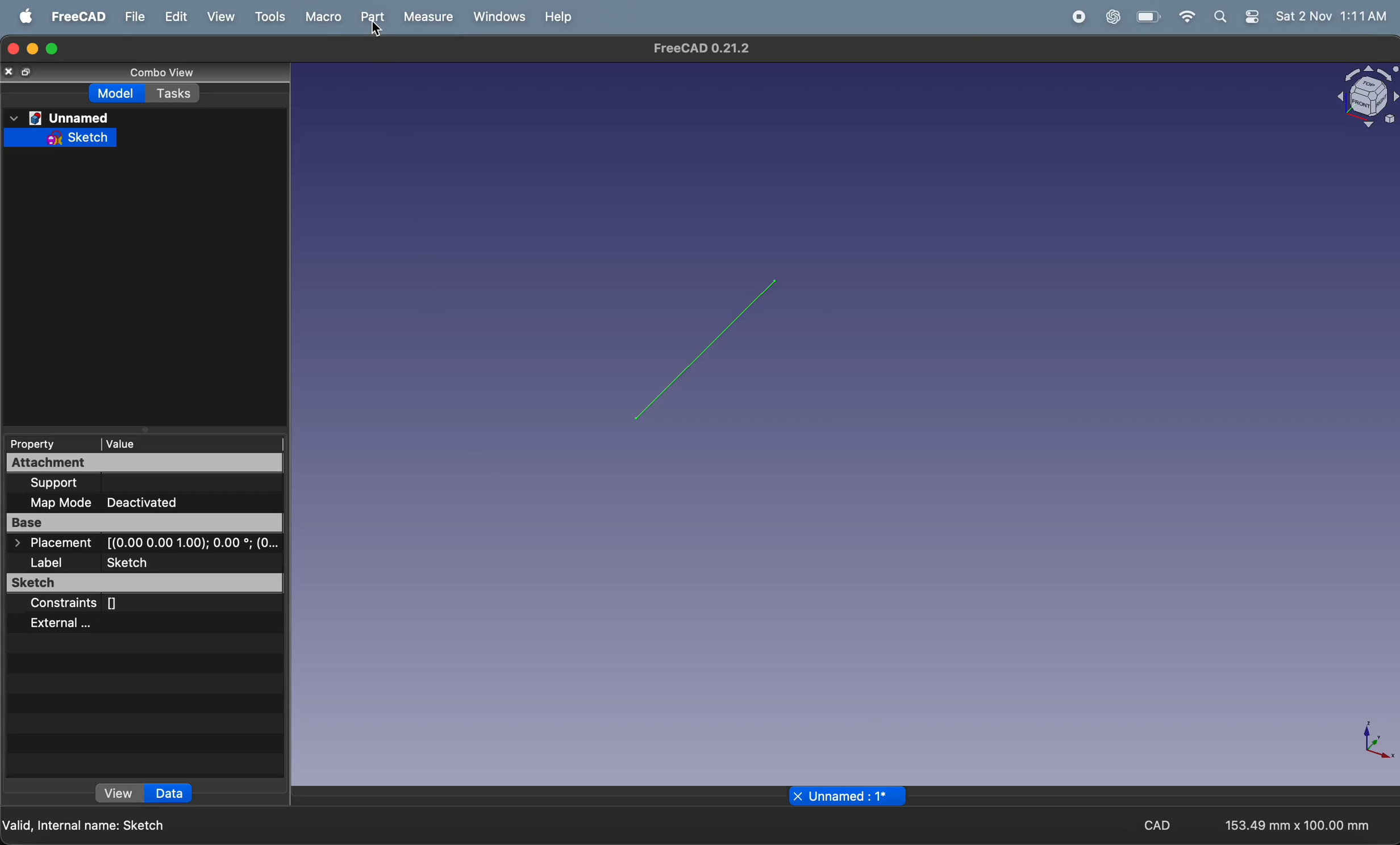 This screenshot has width=1400, height=845. What do you see at coordinates (376, 30) in the screenshot?
I see `cursor` at bounding box center [376, 30].